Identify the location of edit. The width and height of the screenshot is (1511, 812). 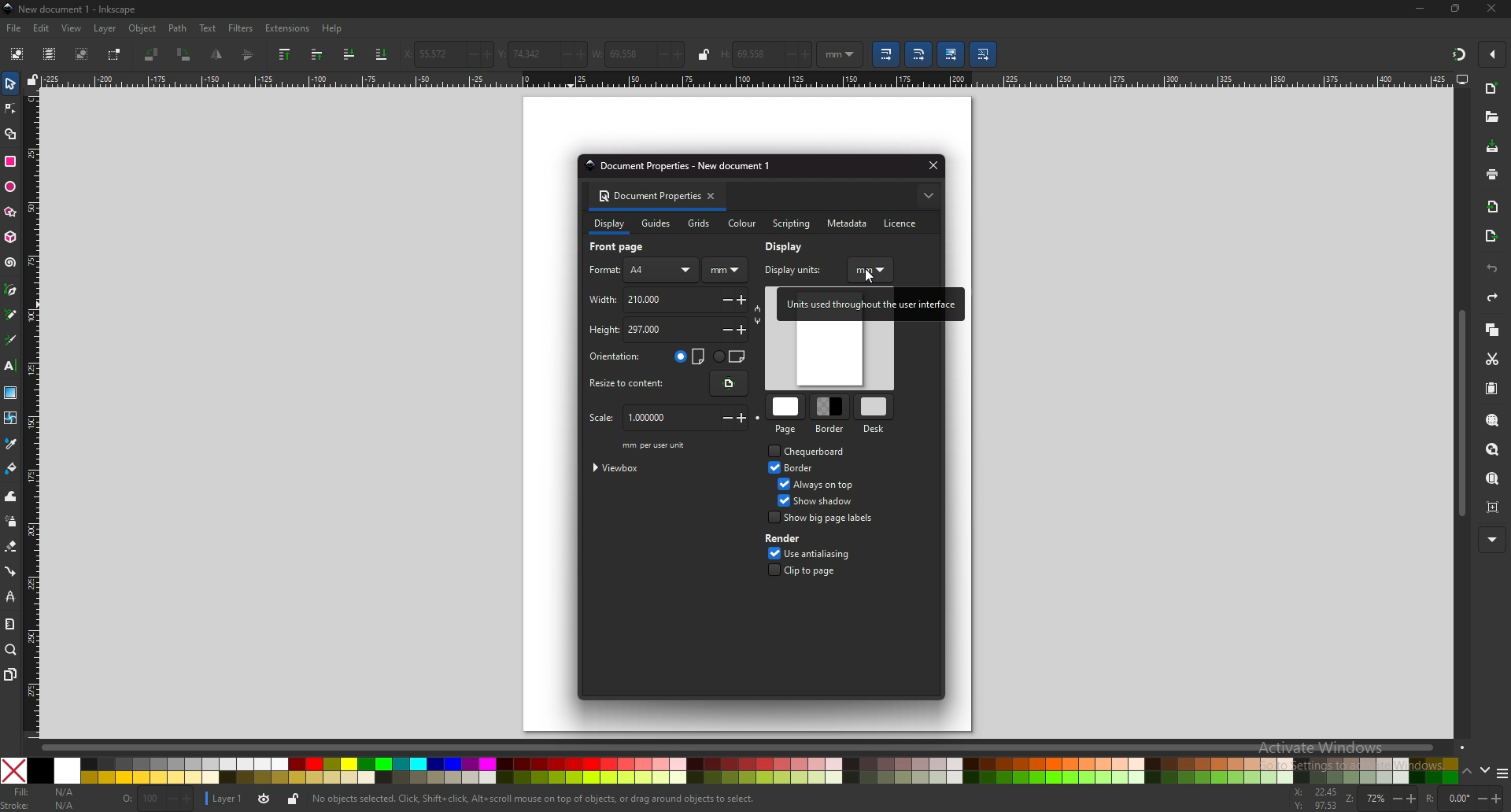
(40, 28).